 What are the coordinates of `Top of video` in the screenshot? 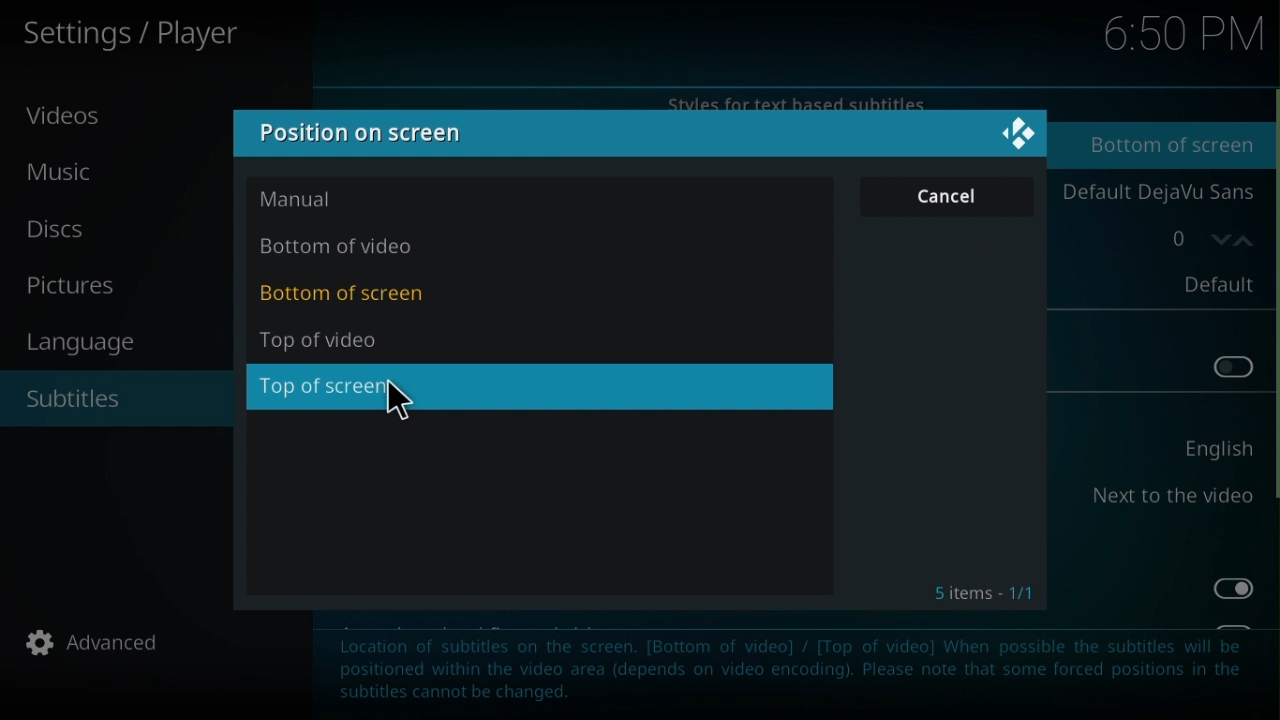 It's located at (338, 340).